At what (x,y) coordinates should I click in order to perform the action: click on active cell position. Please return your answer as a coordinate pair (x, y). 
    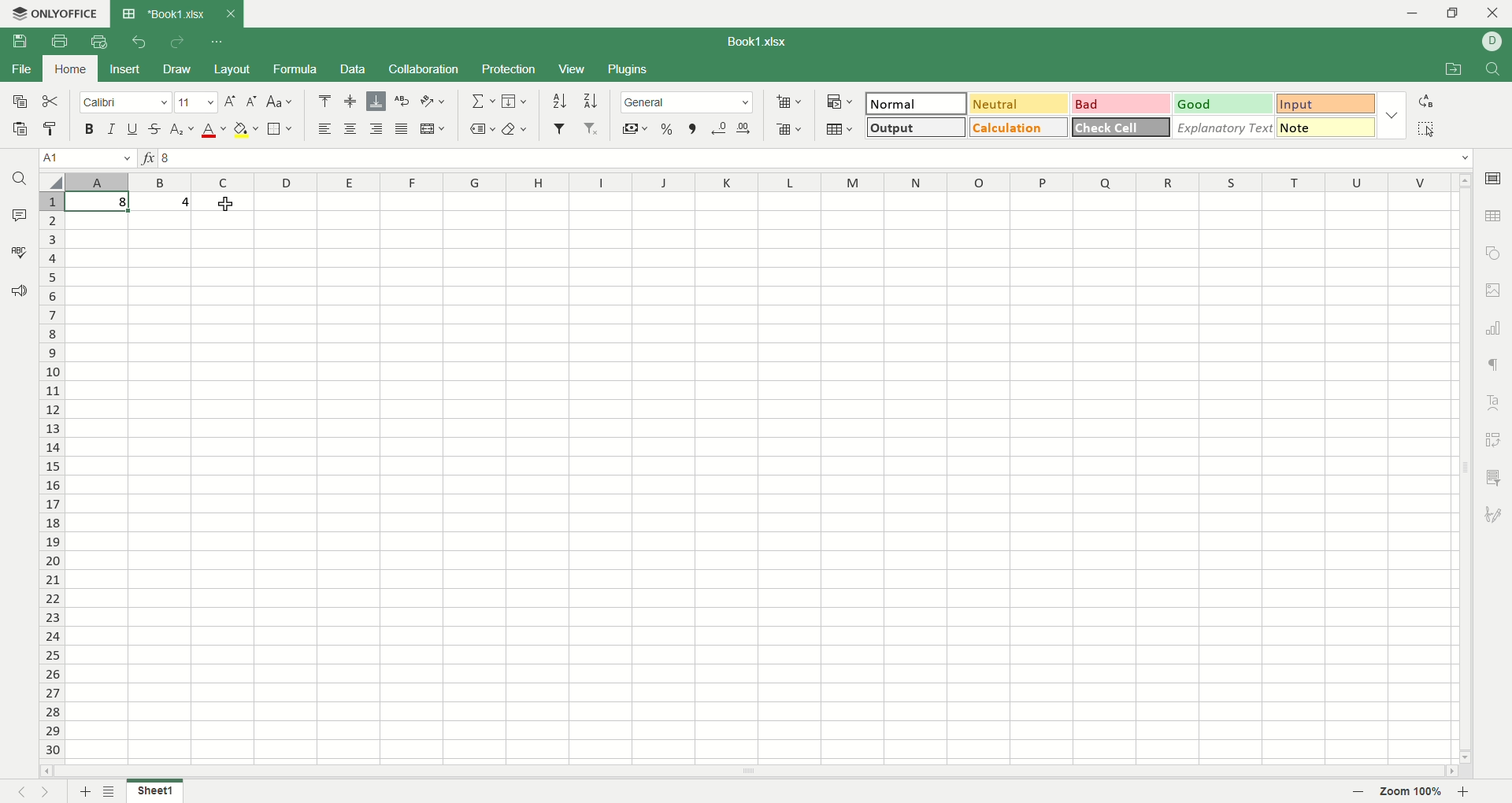
    Looking at the image, I should click on (87, 159).